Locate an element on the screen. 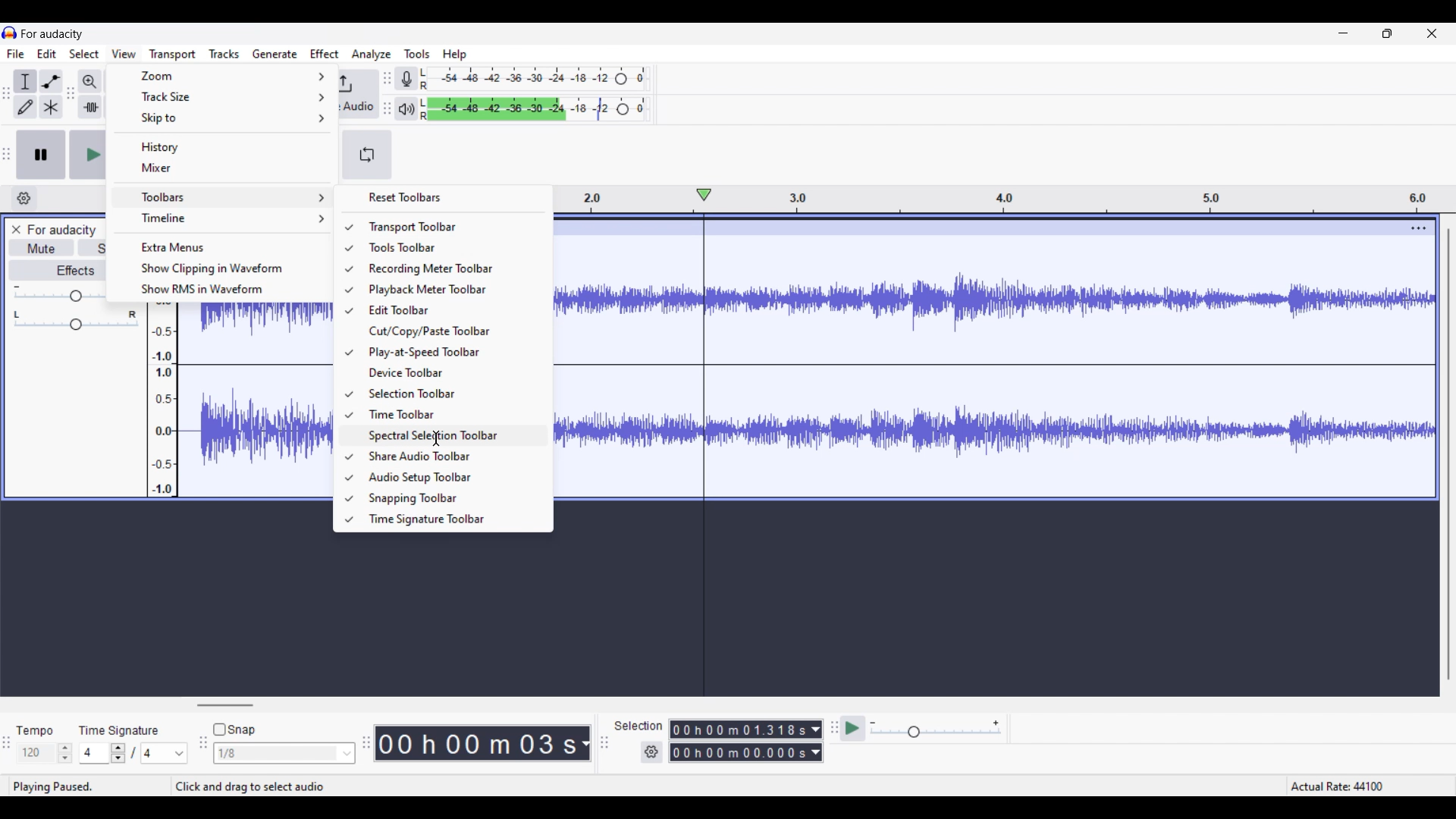  Analyze menu is located at coordinates (370, 55).